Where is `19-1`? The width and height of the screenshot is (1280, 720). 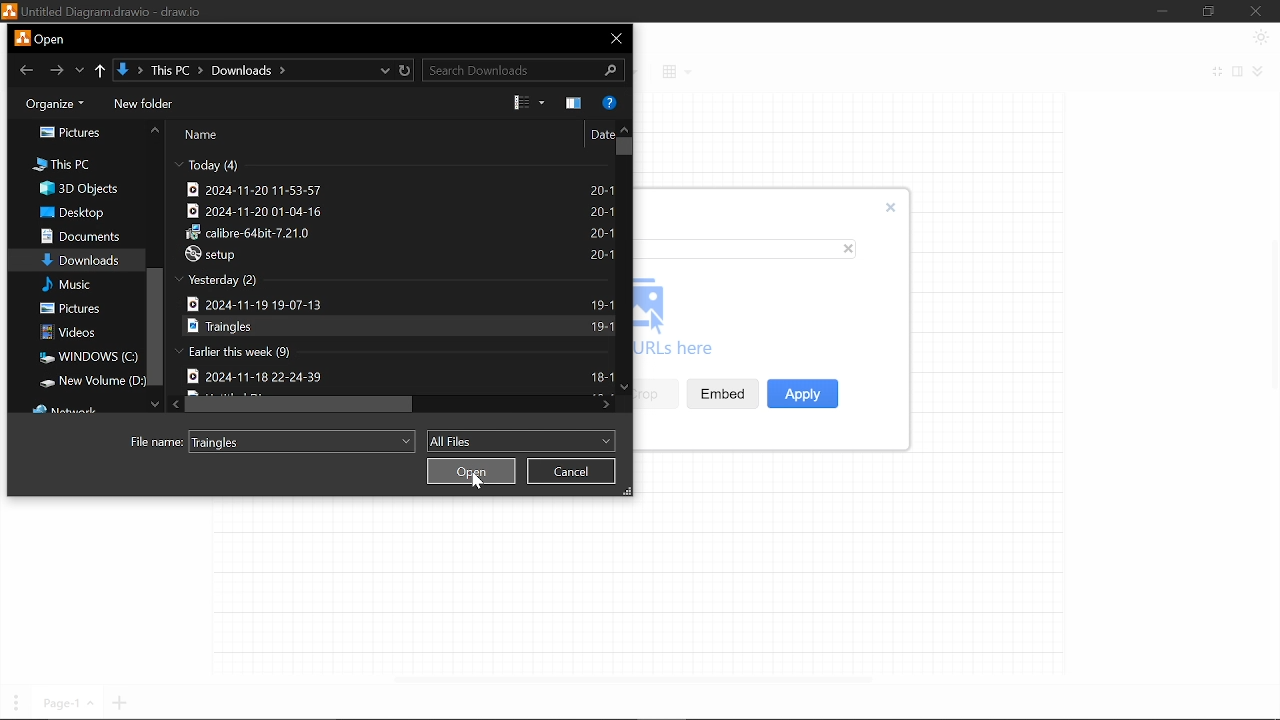
19-1 is located at coordinates (598, 303).